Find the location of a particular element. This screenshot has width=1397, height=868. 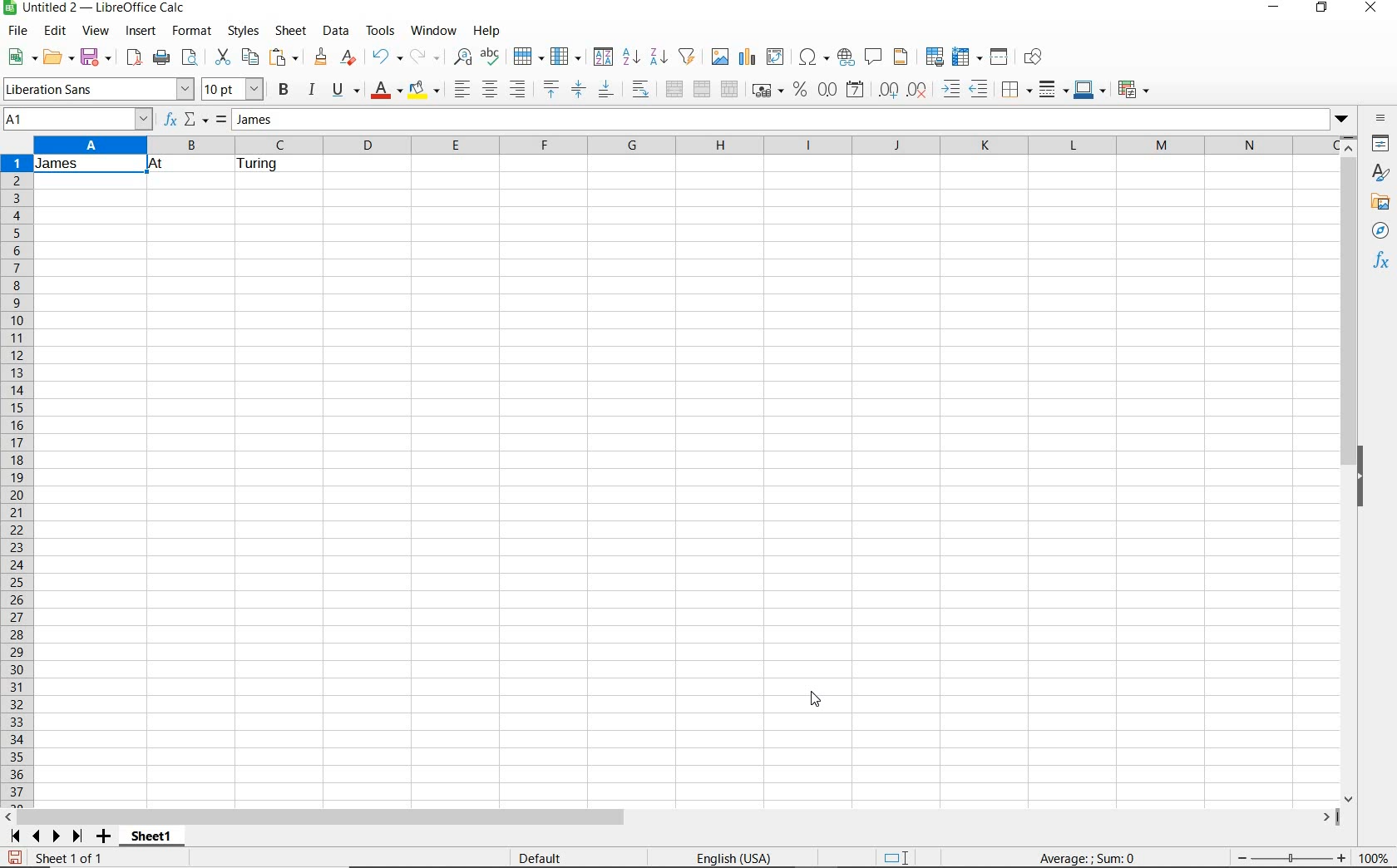

window is located at coordinates (433, 32).